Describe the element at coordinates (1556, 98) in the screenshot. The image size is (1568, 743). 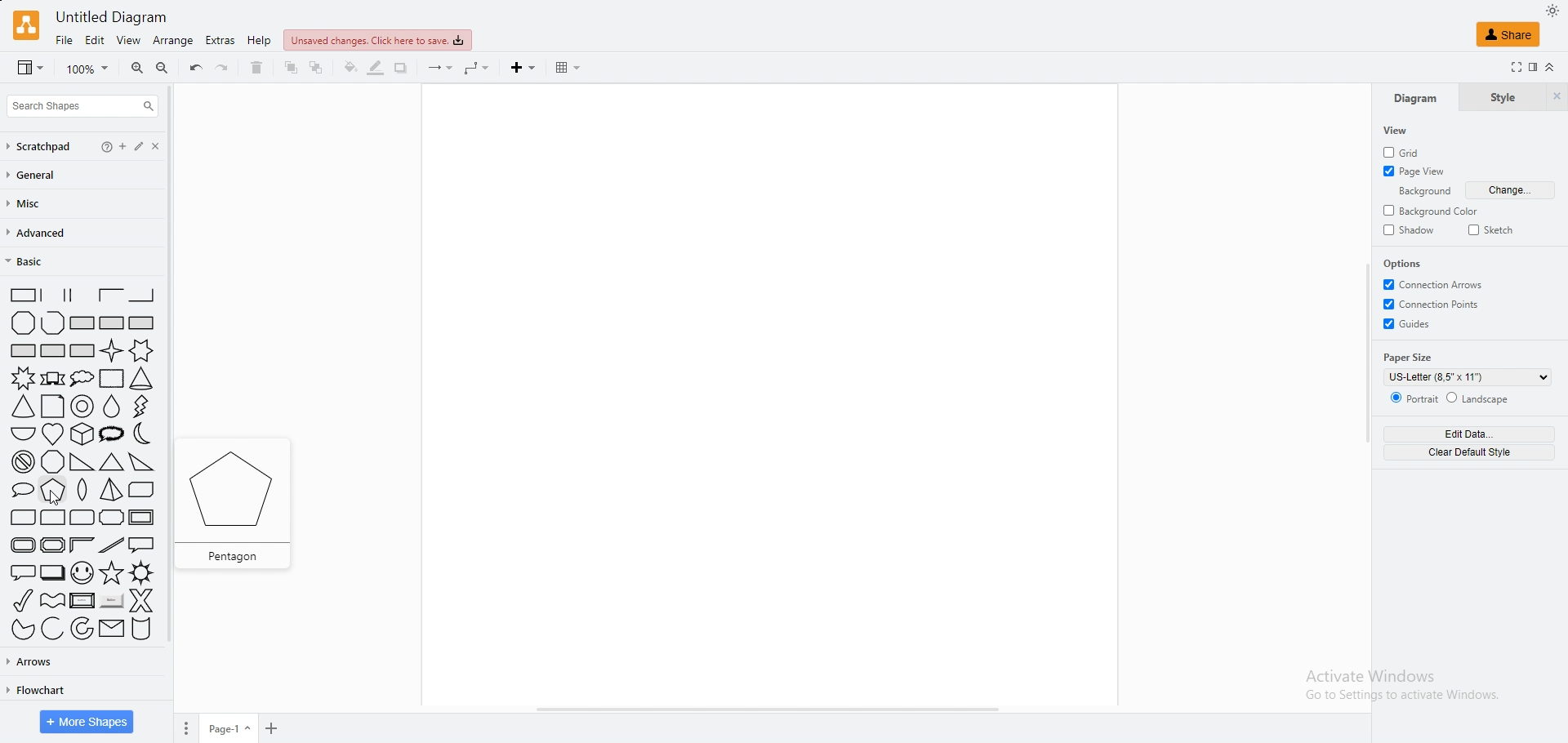
I see `hide` at that location.